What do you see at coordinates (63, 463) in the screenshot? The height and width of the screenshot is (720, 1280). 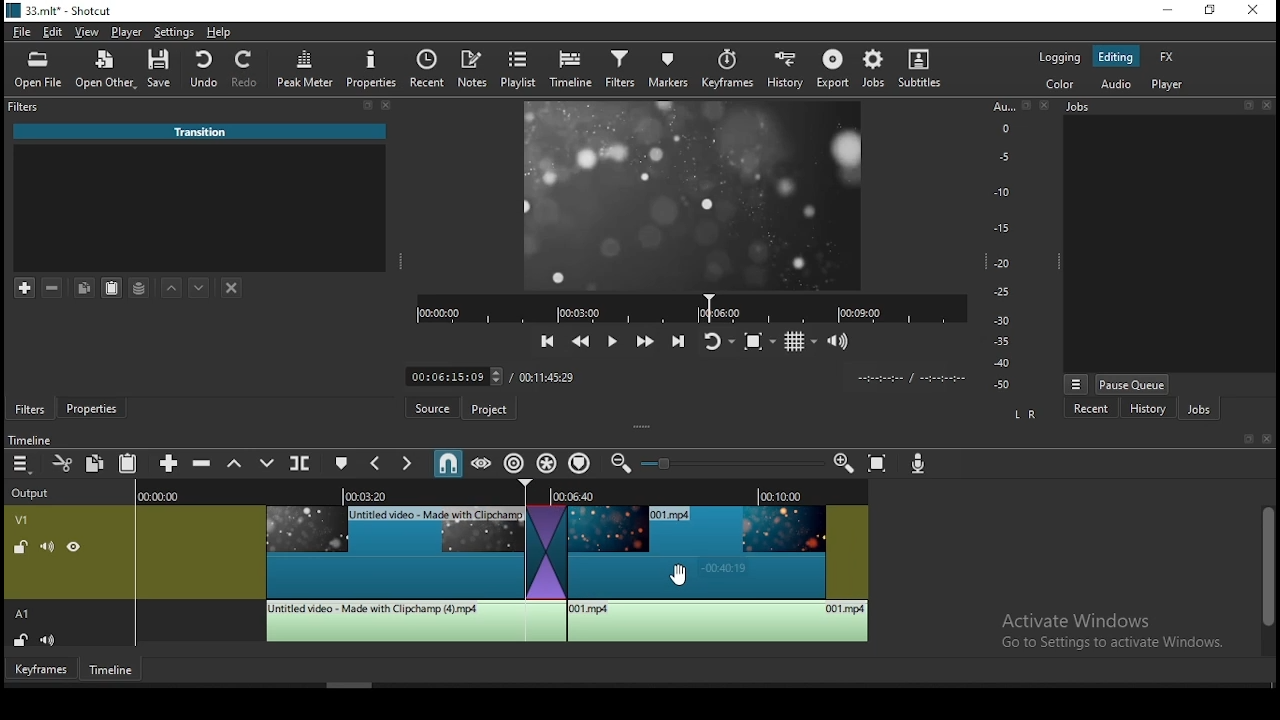 I see `cut` at bounding box center [63, 463].